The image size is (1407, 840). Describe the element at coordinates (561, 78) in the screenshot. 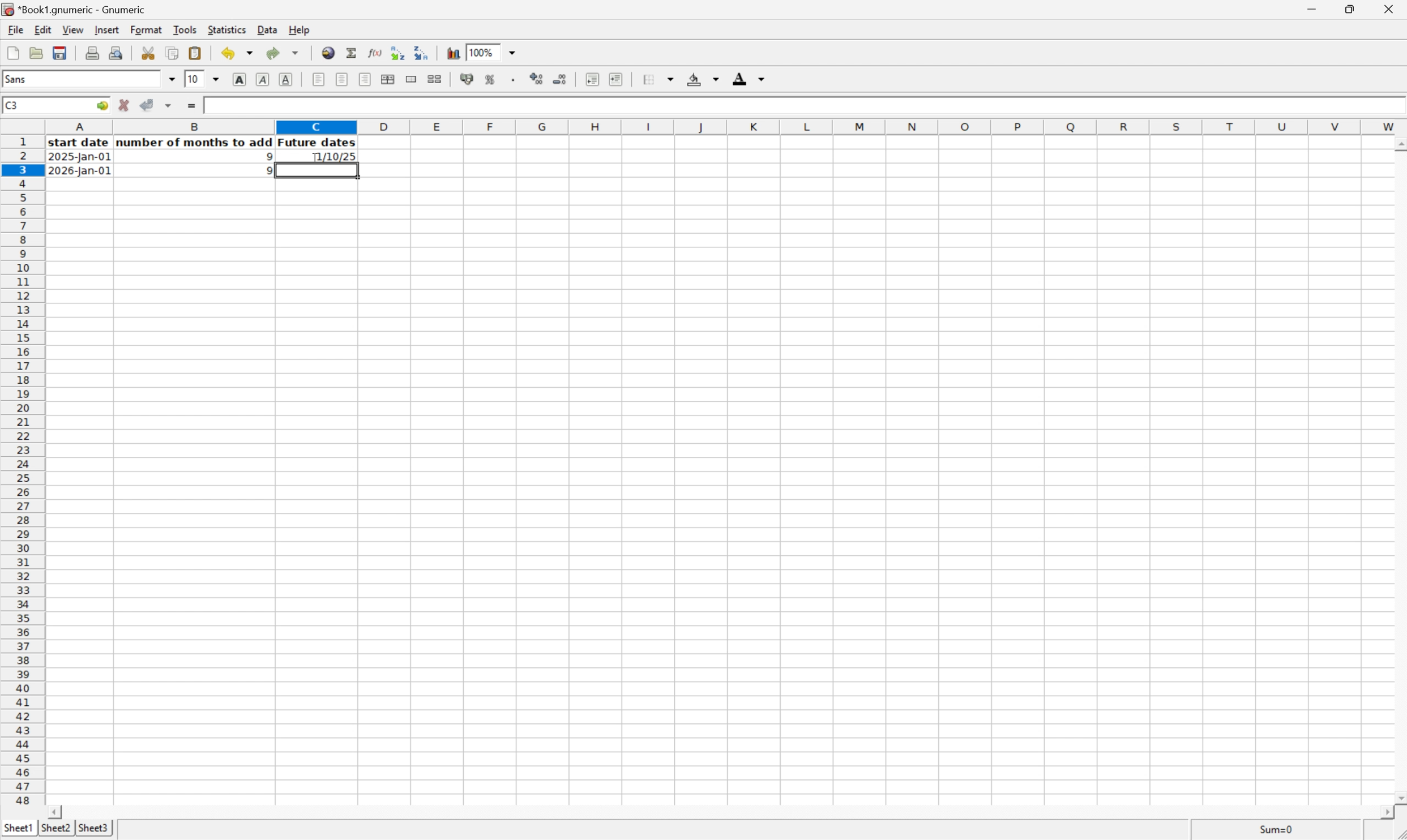

I see `Decrease the number of decimals displayed` at that location.